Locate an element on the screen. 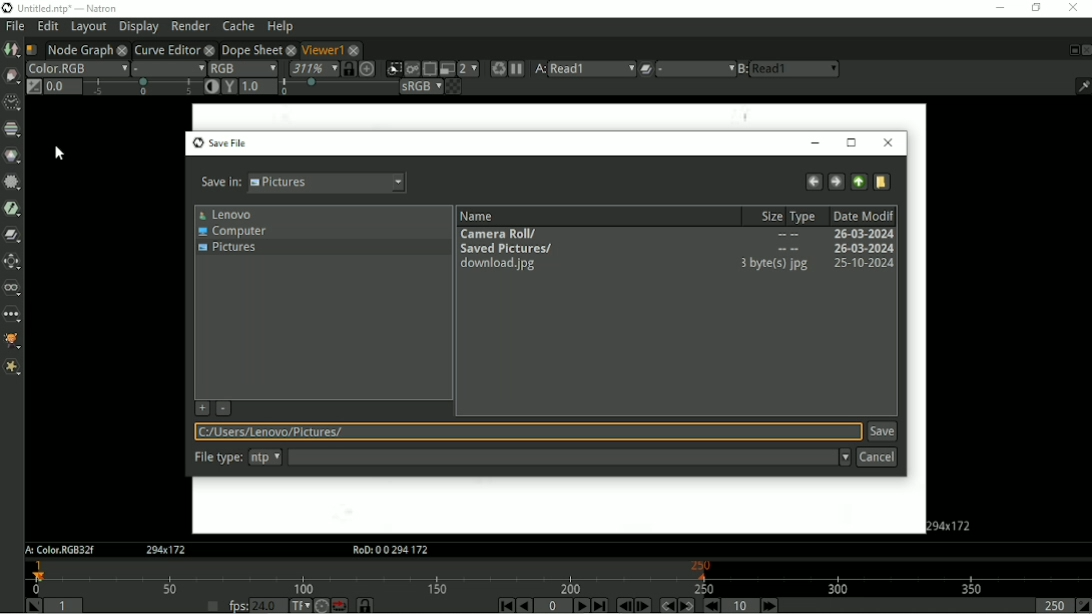 This screenshot has width=1092, height=614. Cache is located at coordinates (239, 26).